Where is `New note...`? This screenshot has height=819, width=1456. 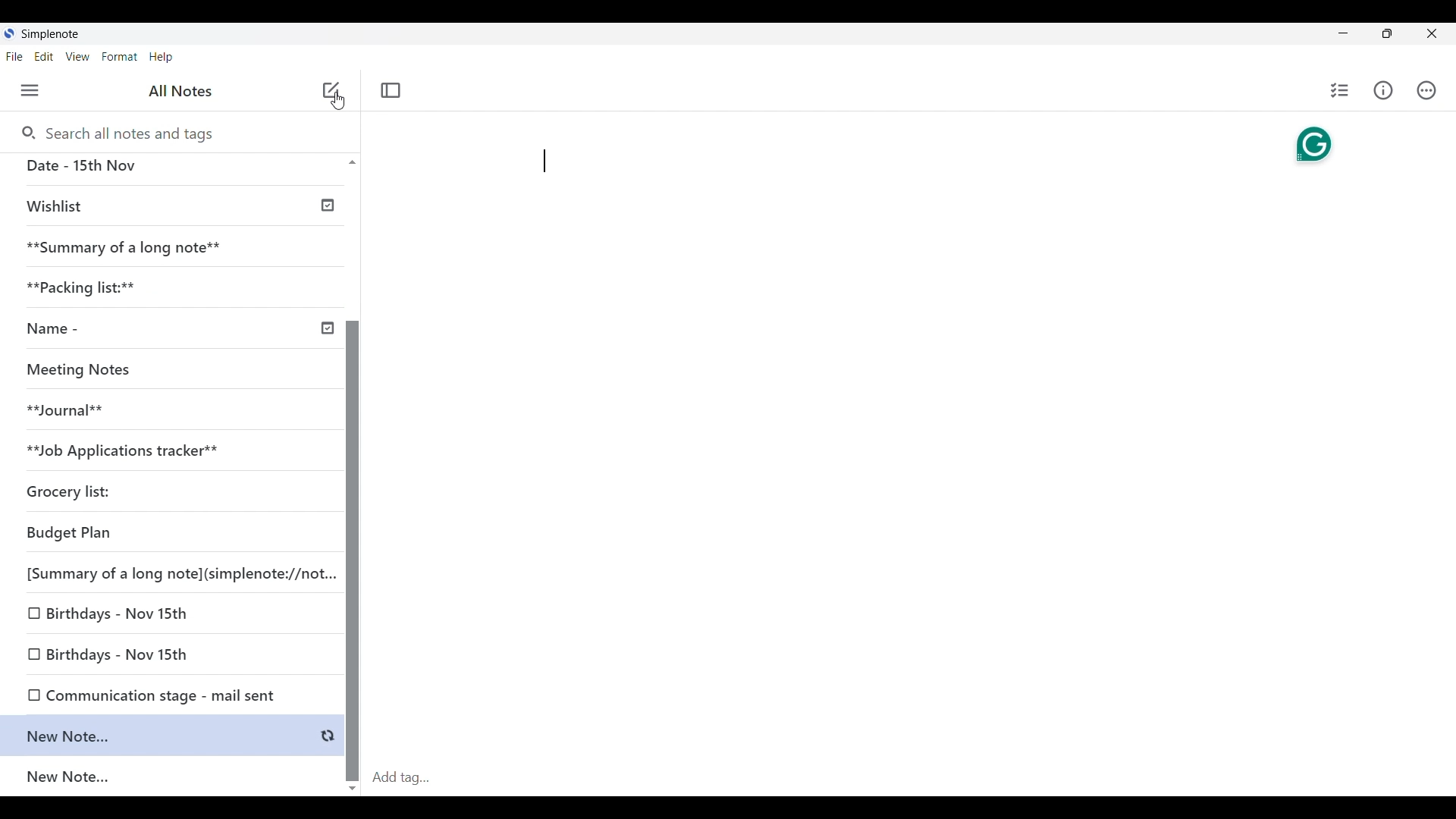
New note... is located at coordinates (174, 736).